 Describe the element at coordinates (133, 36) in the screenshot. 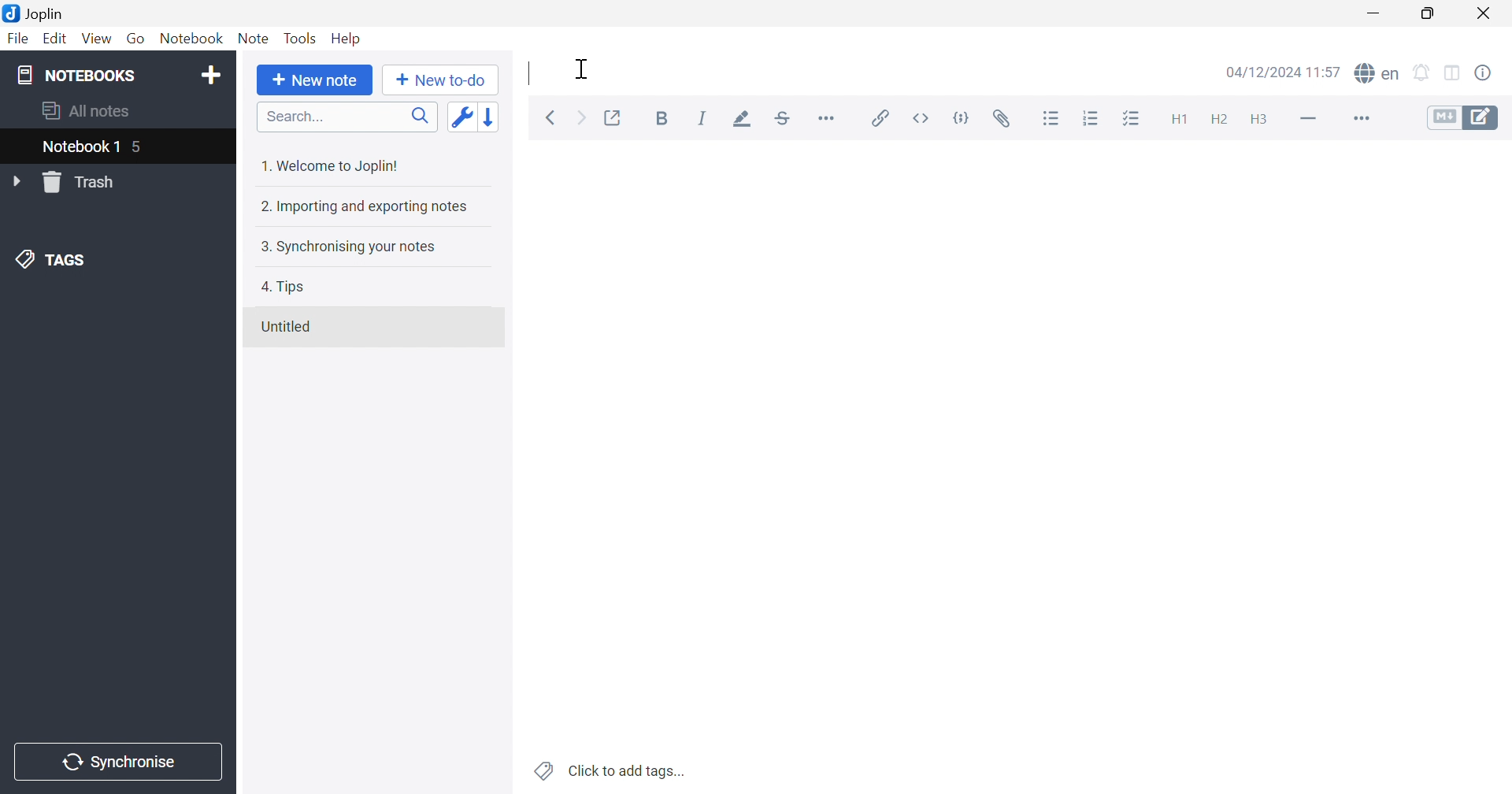

I see `Go` at that location.